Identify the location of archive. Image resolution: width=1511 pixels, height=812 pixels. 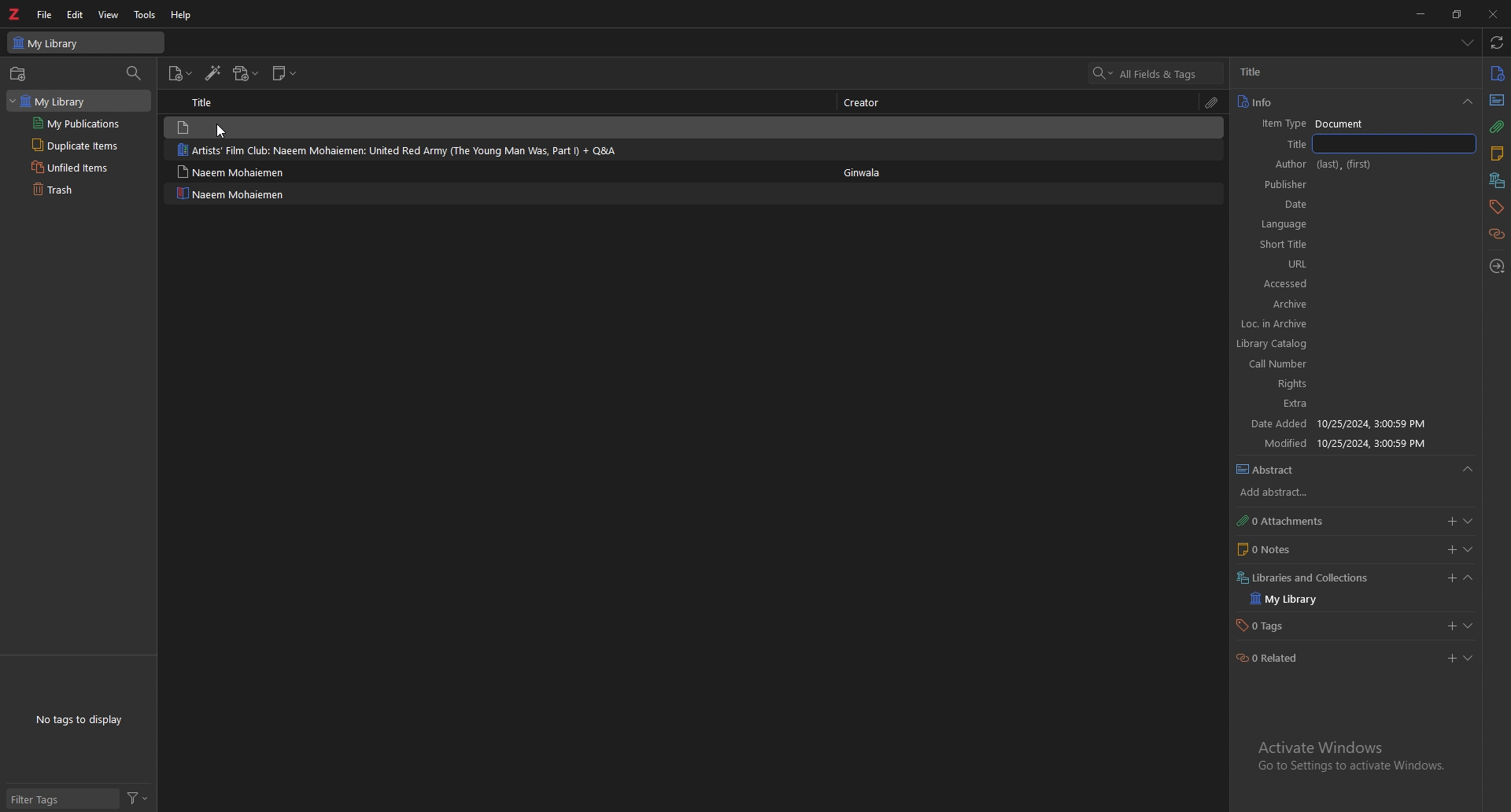
(1279, 489).